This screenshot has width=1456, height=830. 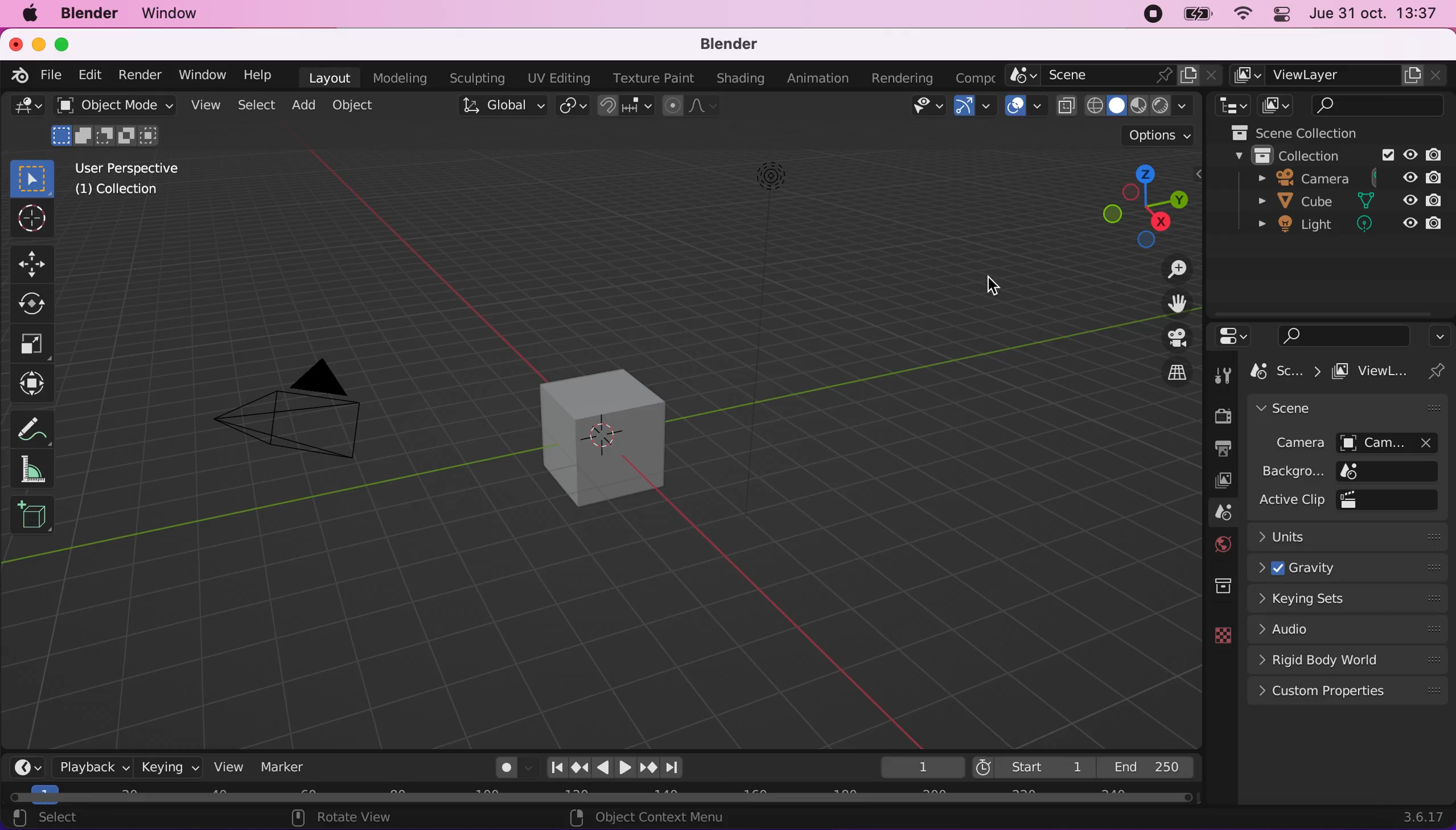 What do you see at coordinates (91, 74) in the screenshot?
I see `edit` at bounding box center [91, 74].